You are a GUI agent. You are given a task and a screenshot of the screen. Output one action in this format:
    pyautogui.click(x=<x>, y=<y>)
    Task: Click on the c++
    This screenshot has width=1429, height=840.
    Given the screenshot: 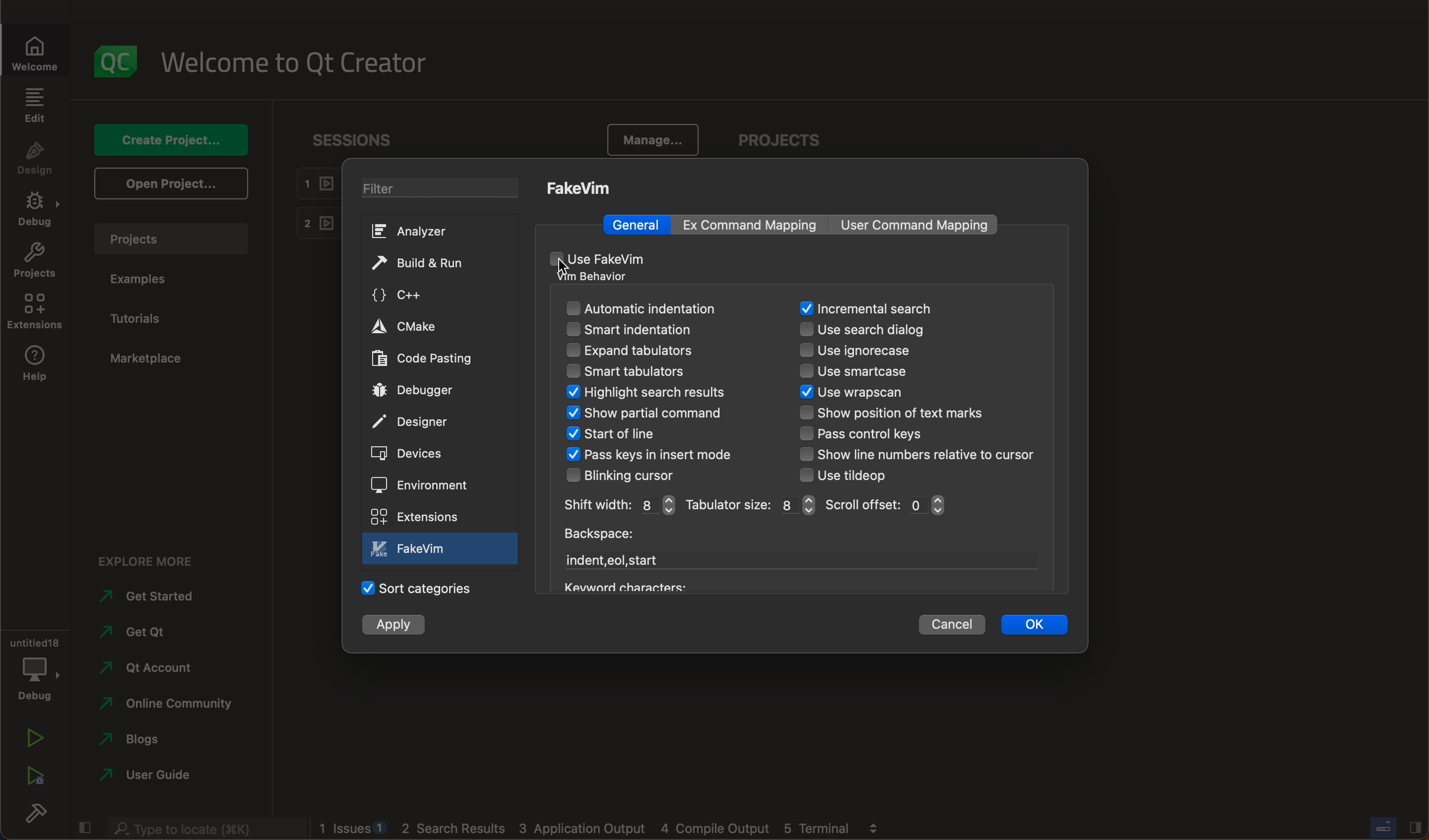 What is the action you would take?
    pyautogui.click(x=426, y=295)
    